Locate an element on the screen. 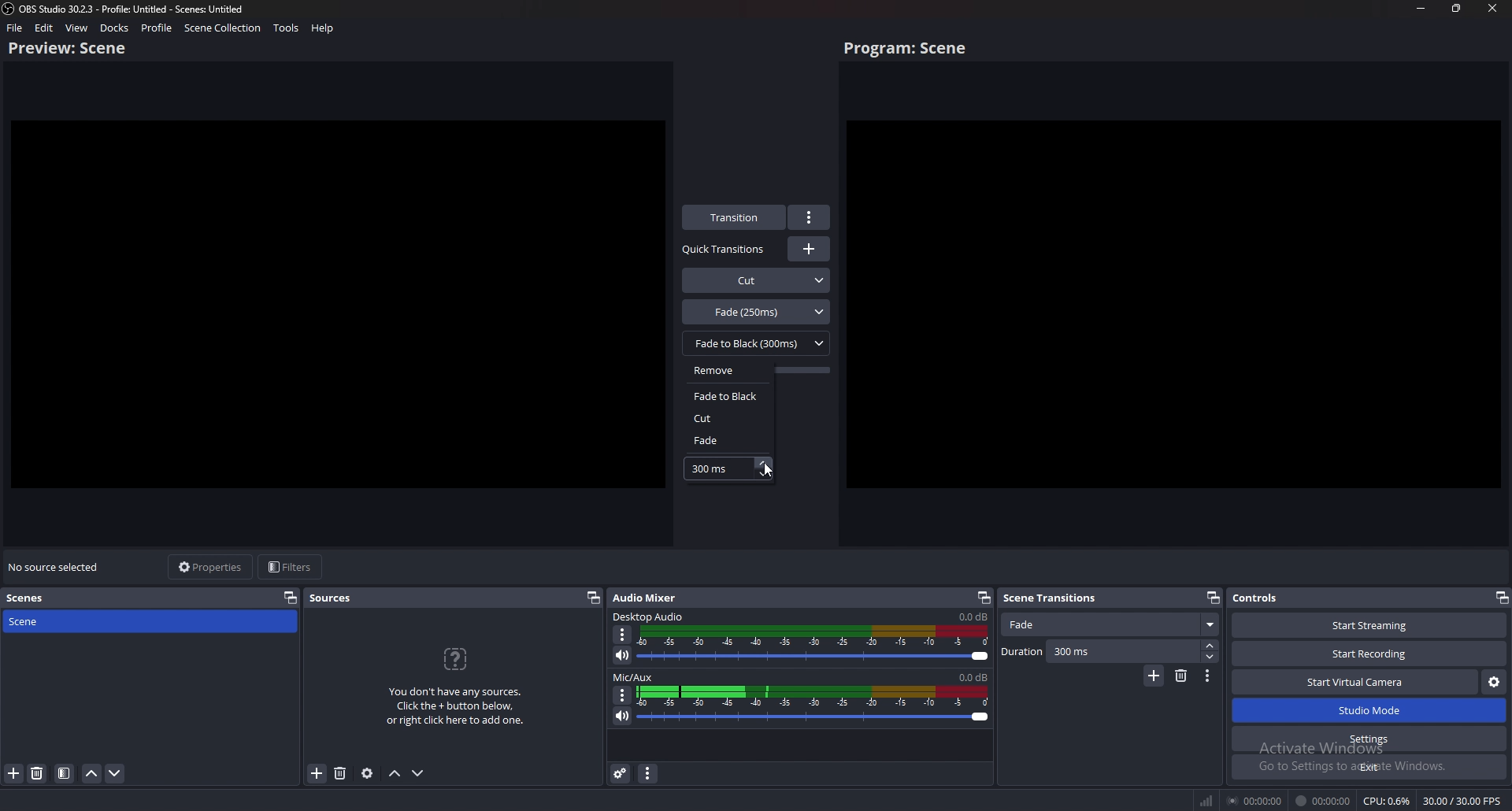 The image size is (1512, 811). no source selected is located at coordinates (55, 567).